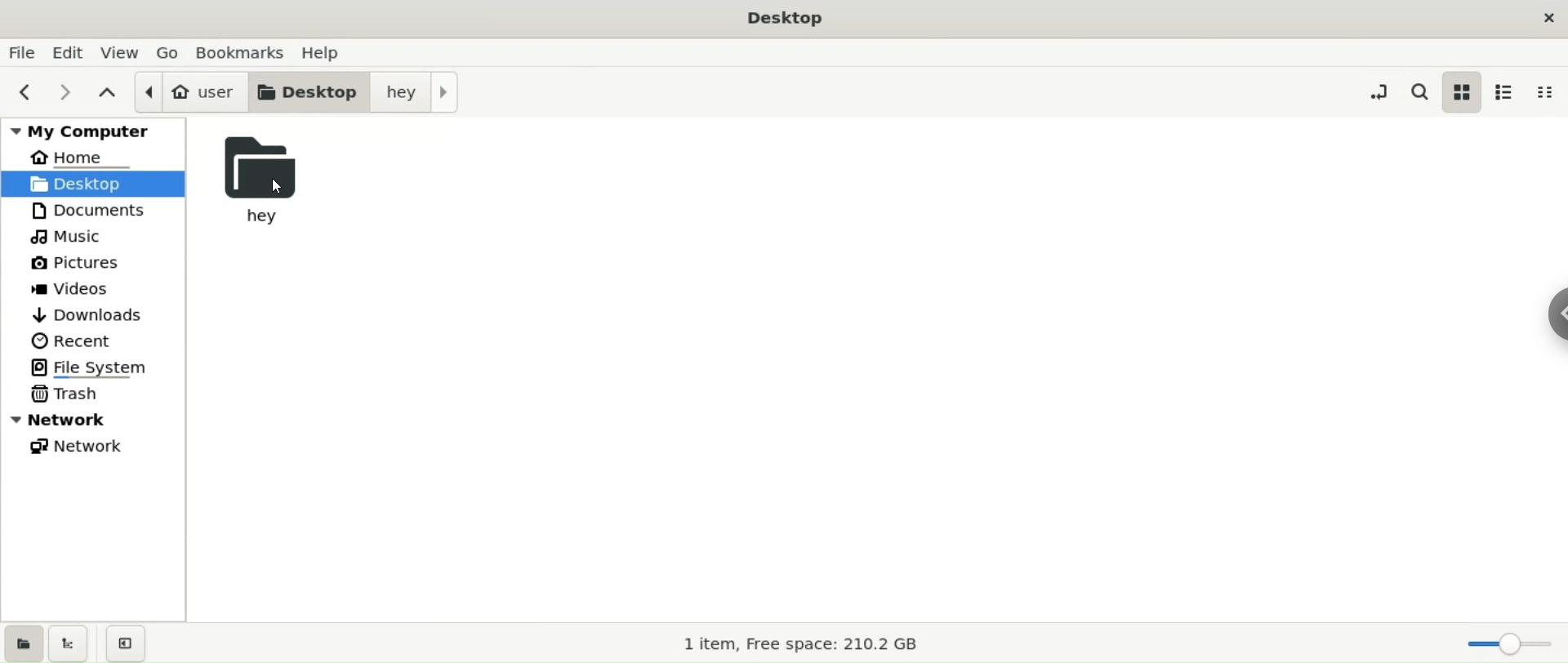 This screenshot has width=1568, height=663. I want to click on zoom, so click(1512, 640).